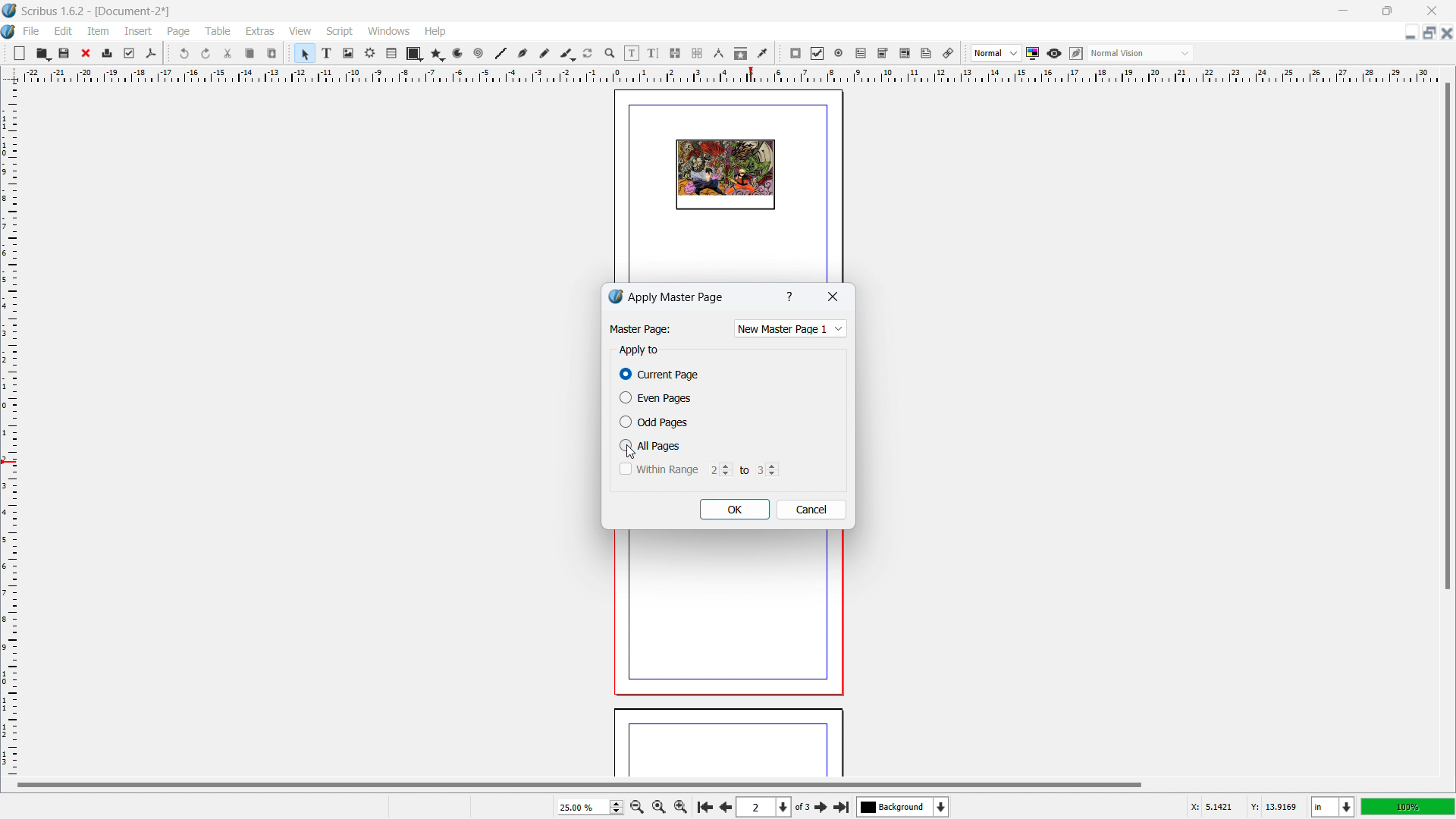  I want to click on zoom level, so click(1408, 806).